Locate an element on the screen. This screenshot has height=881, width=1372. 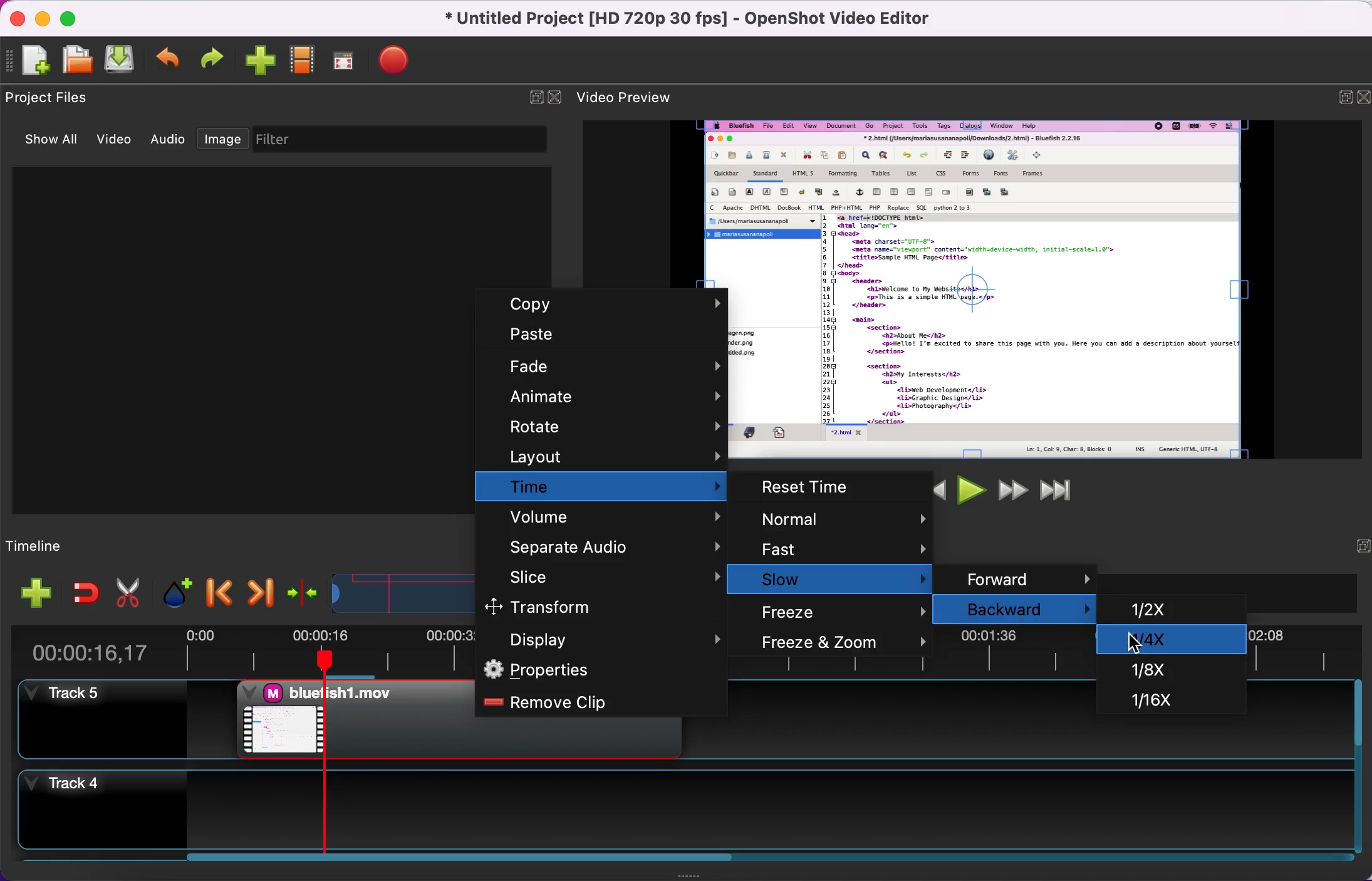
title - Untitled Project [HD 720p 30 fps] - OpenShot Video Editor is located at coordinates (689, 19).